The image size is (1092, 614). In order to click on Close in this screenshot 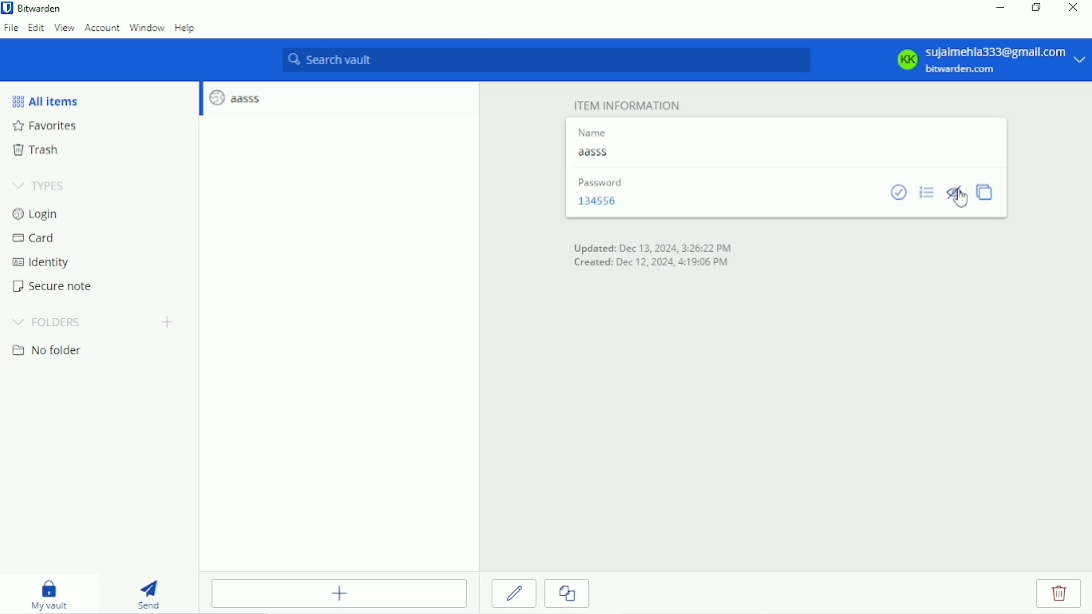, I will do `click(1074, 9)`.